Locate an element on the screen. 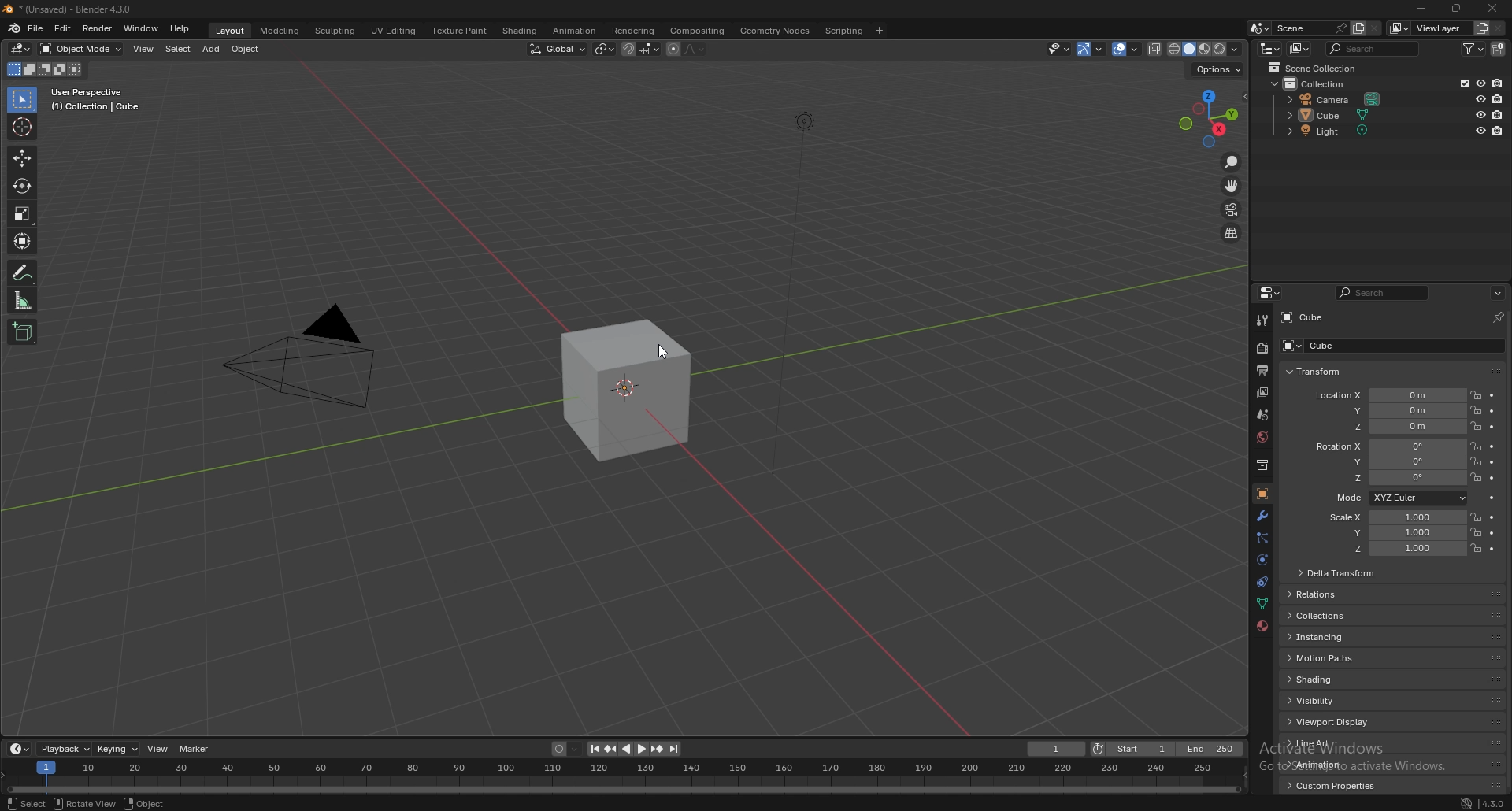  material is located at coordinates (1264, 624).